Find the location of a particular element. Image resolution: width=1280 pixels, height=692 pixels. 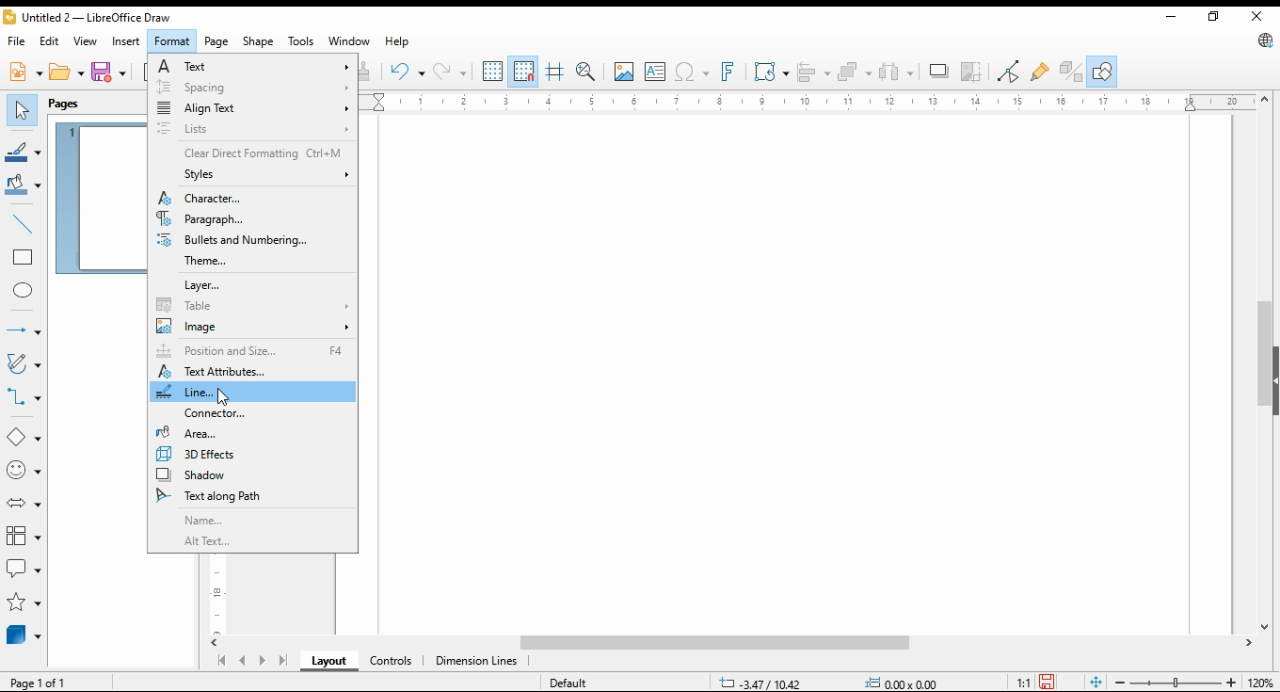

scroll bar is located at coordinates (1264, 363).